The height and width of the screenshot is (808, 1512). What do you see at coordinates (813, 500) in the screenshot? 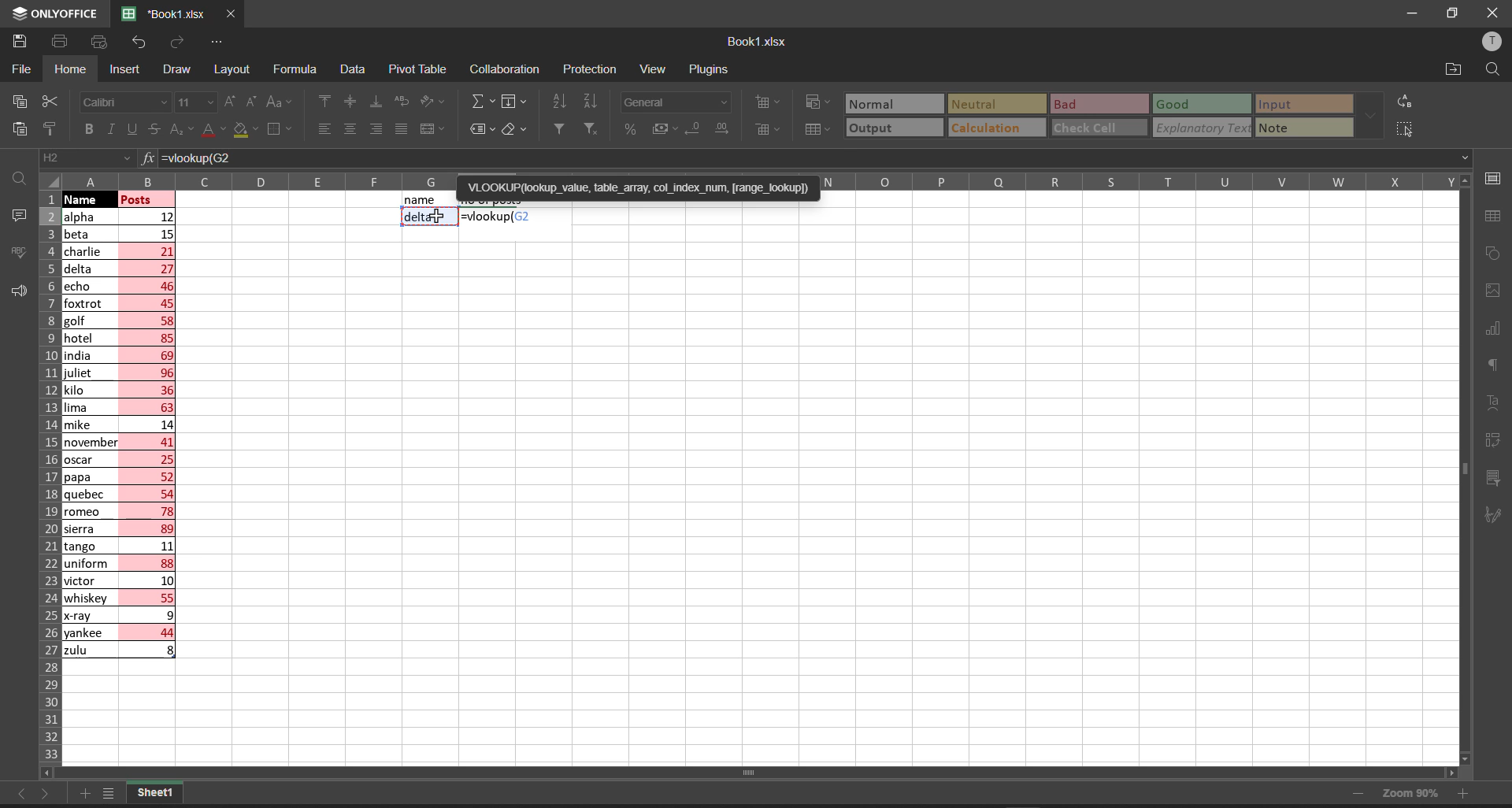
I see `emty cell` at bounding box center [813, 500].